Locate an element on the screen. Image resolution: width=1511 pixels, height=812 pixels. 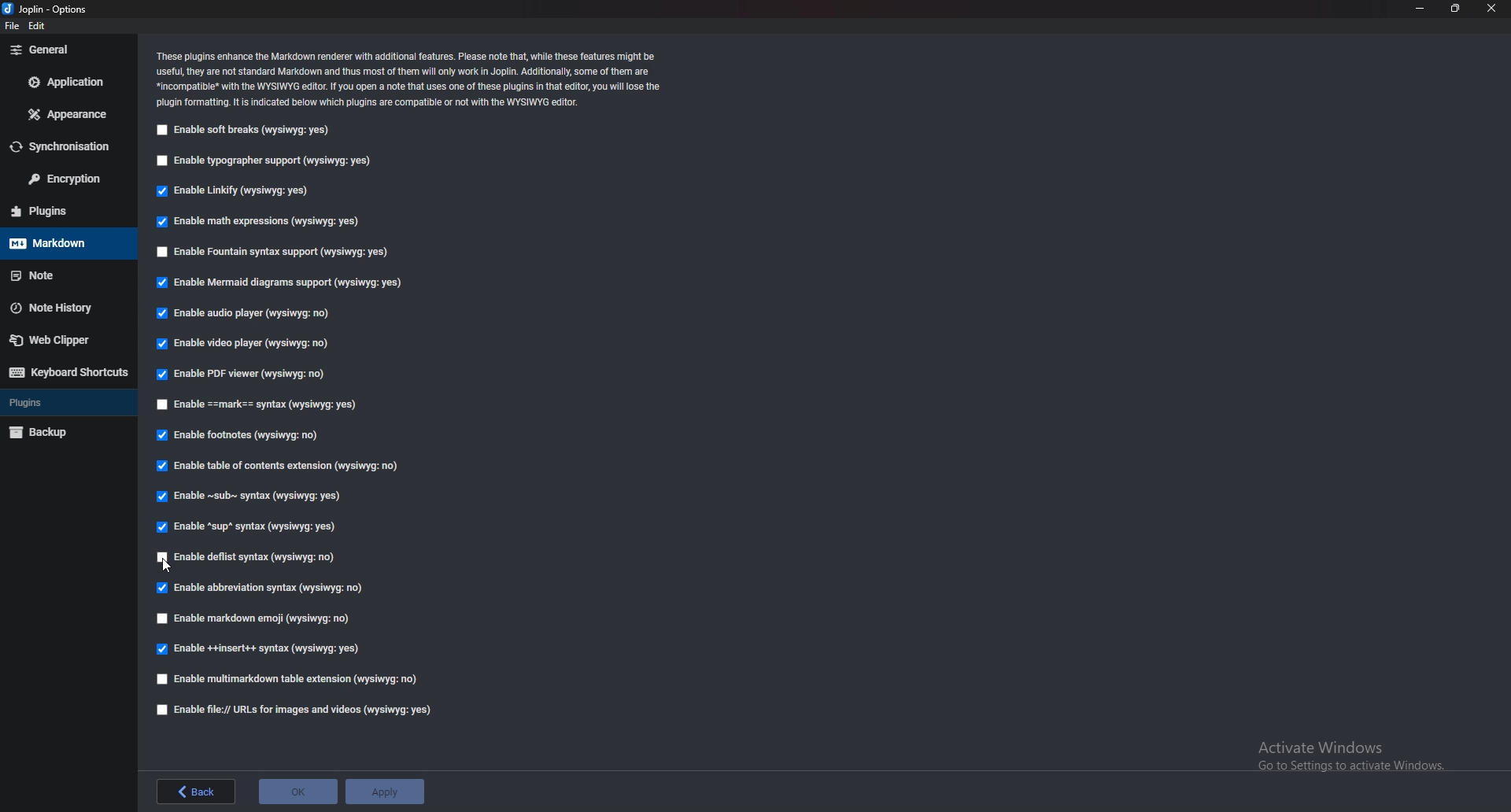
plugins is located at coordinates (67, 402).